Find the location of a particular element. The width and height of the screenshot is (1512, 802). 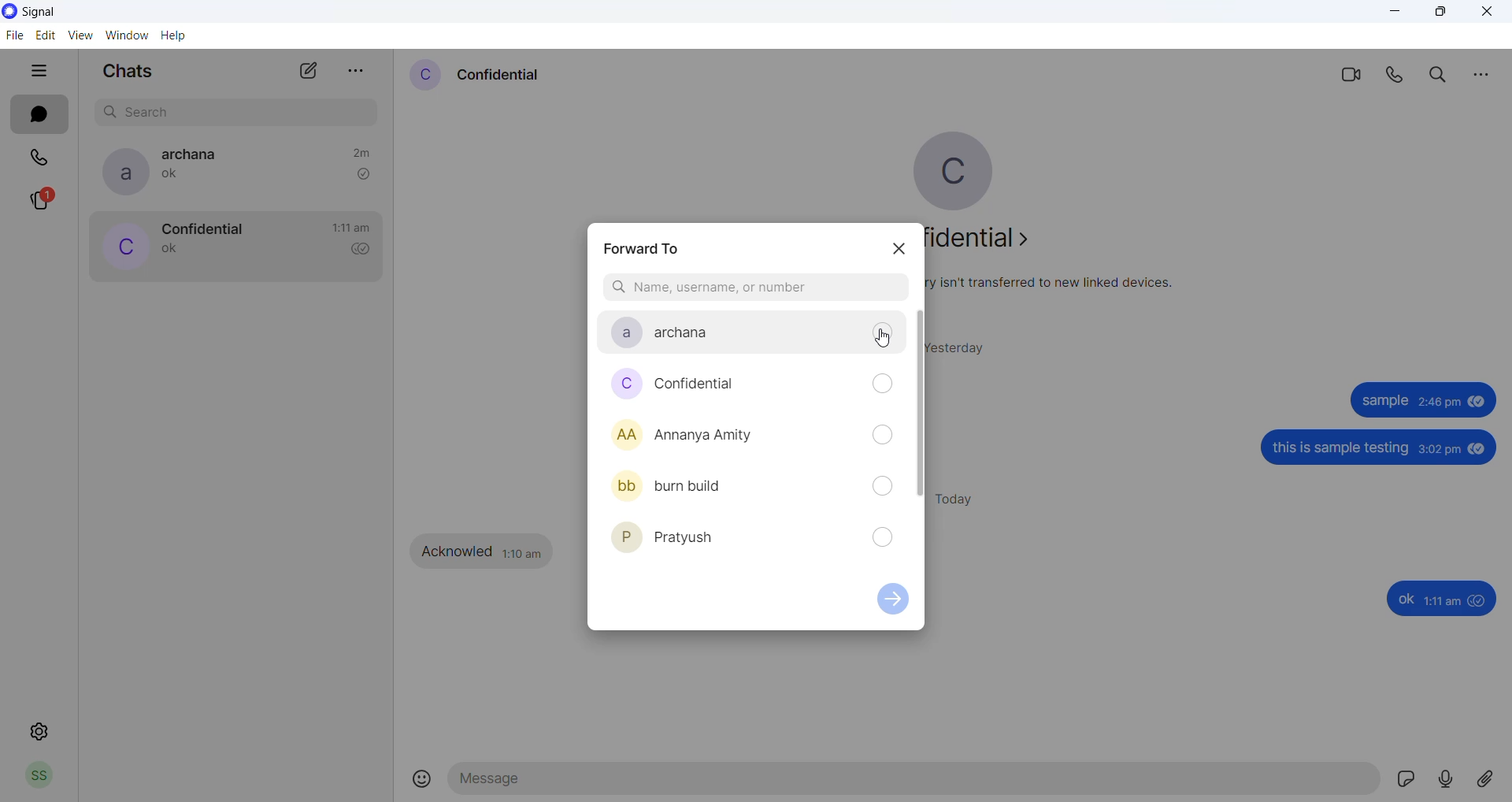

chats heading is located at coordinates (127, 74).